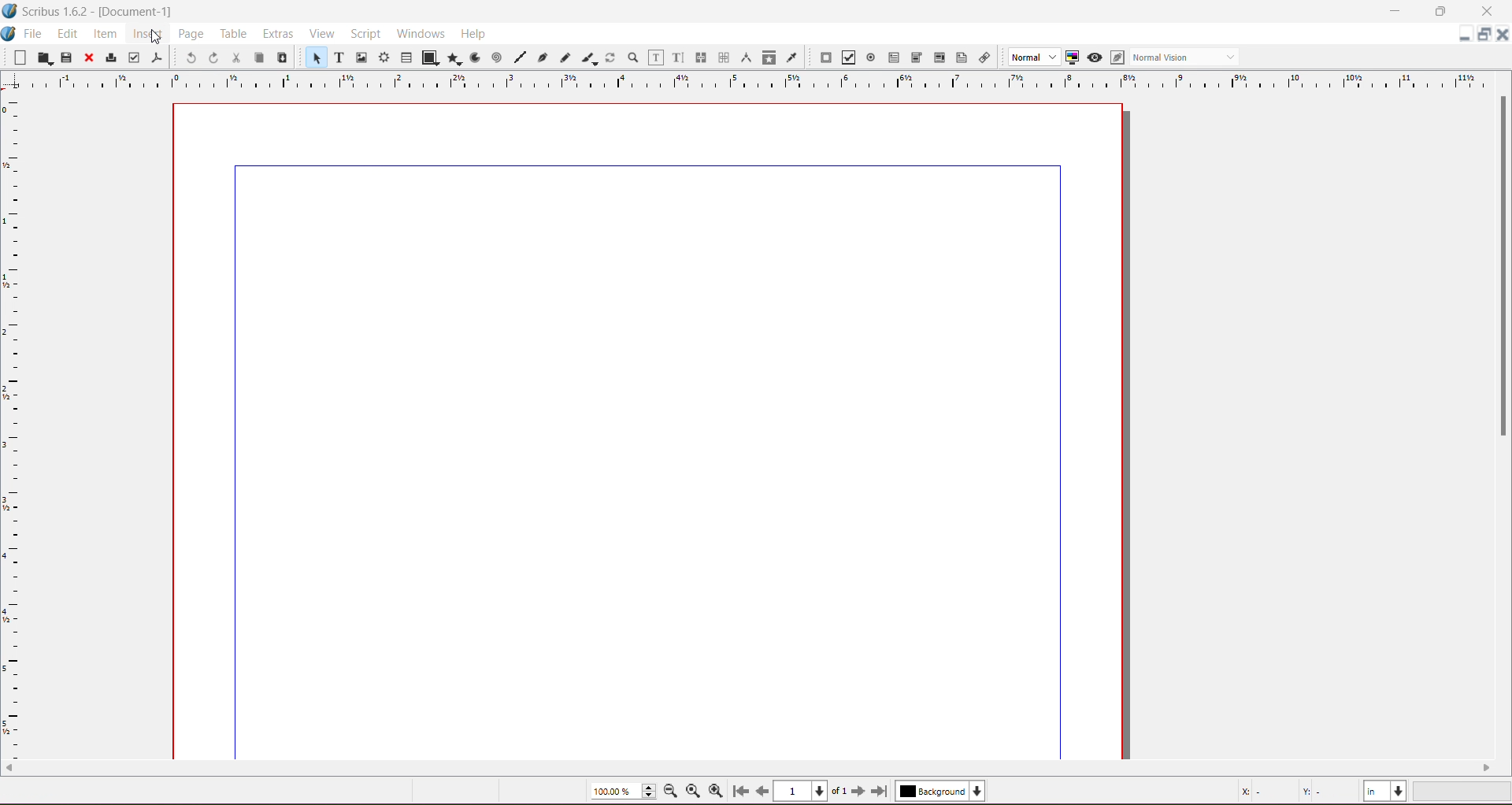 The height and width of the screenshot is (805, 1512). What do you see at coordinates (9, 11) in the screenshot?
I see `Application Logo` at bounding box center [9, 11].